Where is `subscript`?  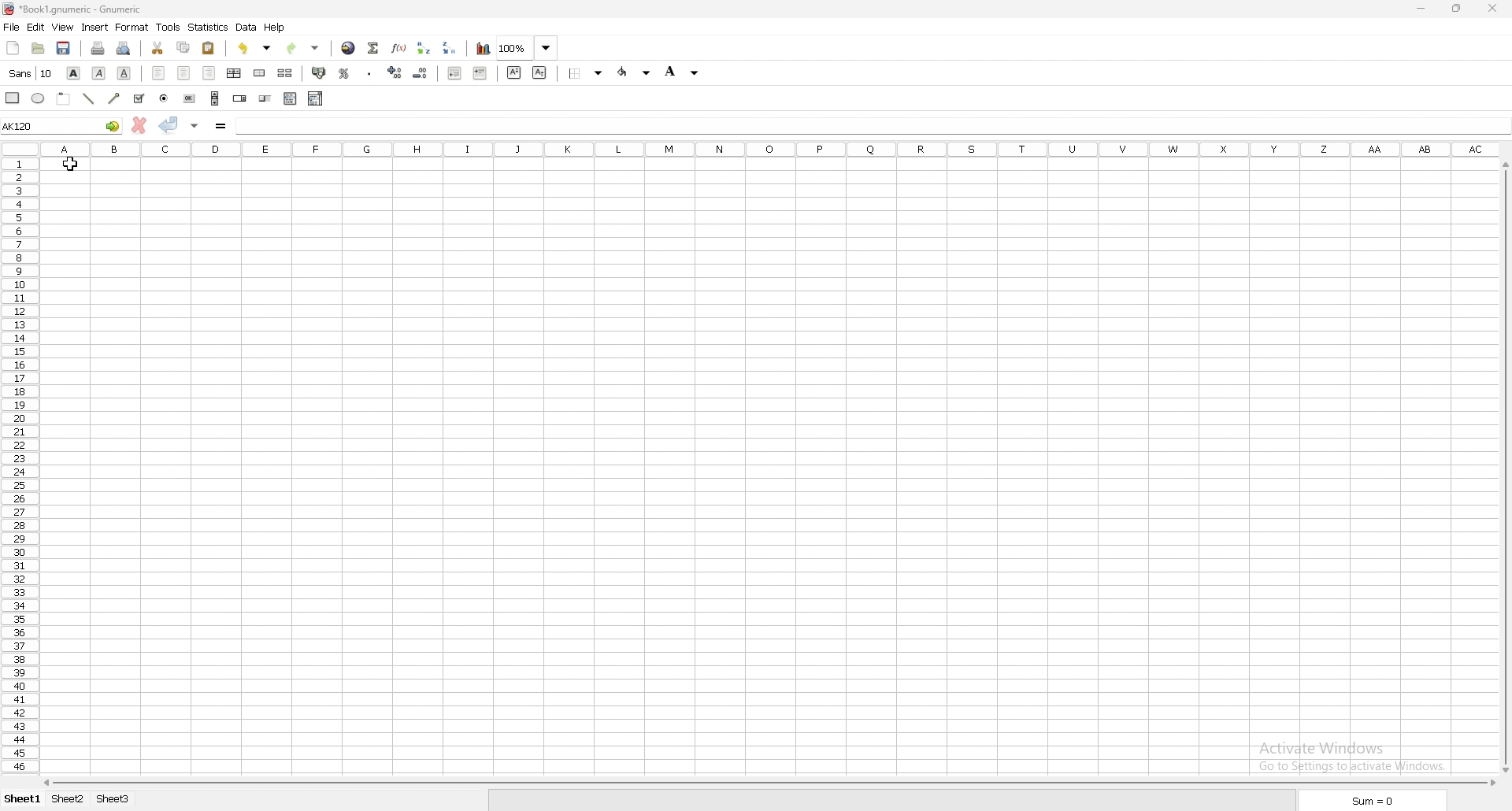
subscript is located at coordinates (539, 72).